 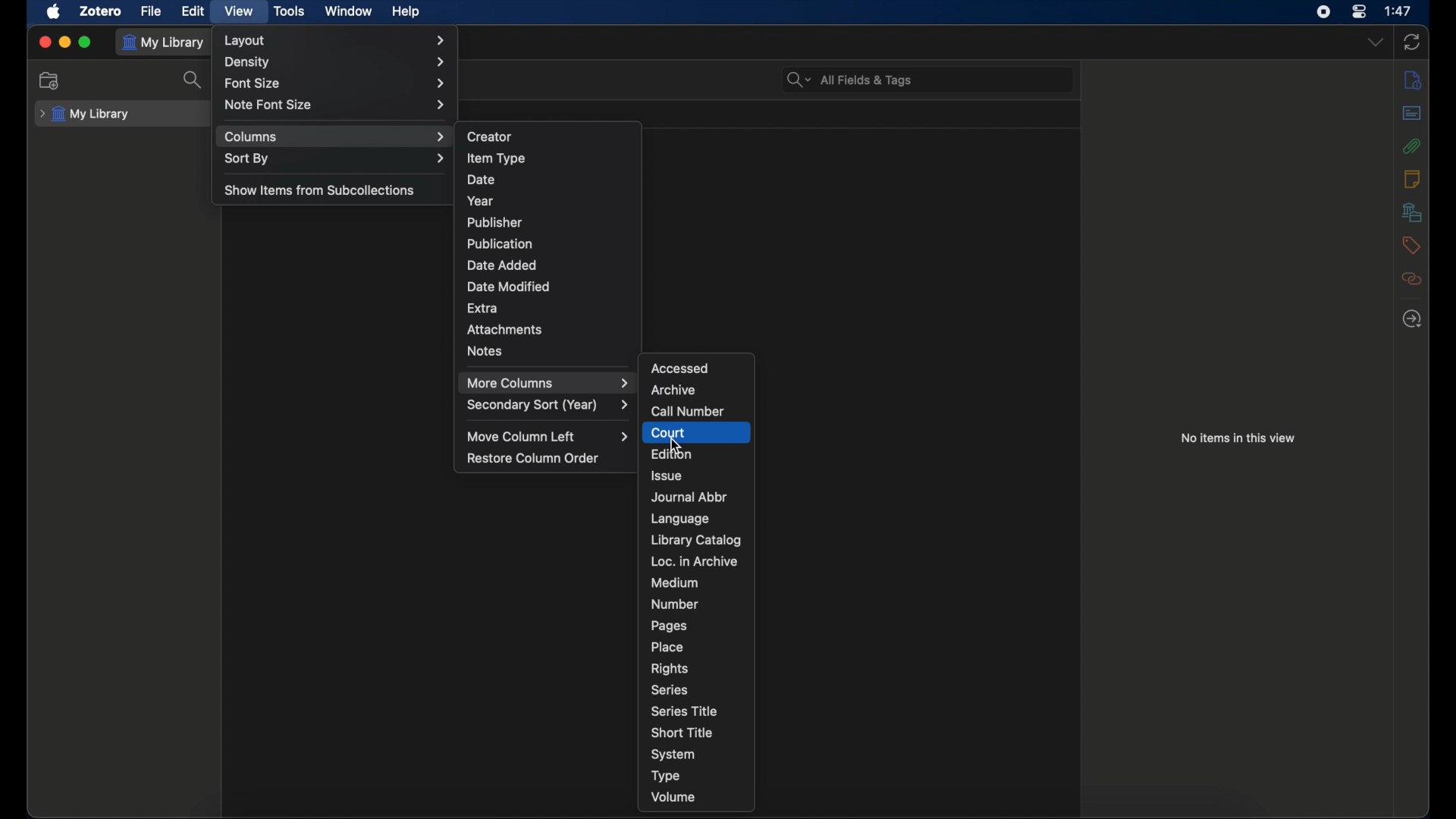 I want to click on font size, so click(x=335, y=84).